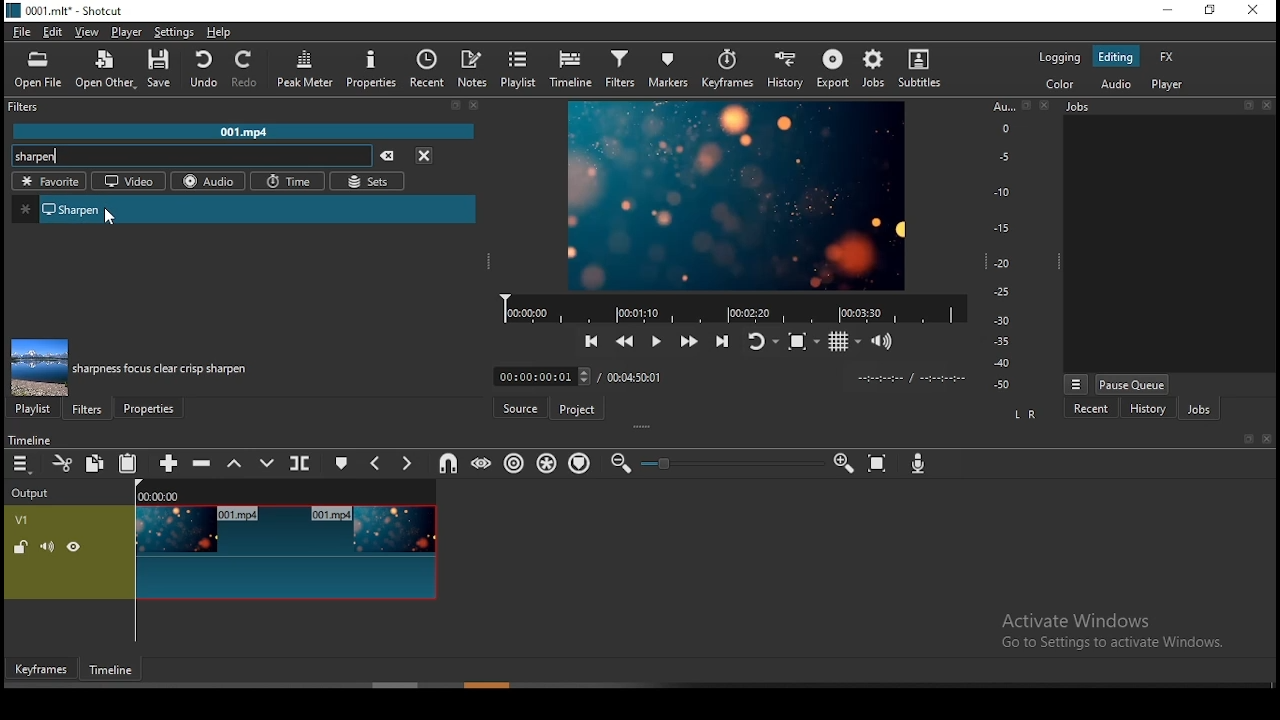 Image resolution: width=1280 pixels, height=720 pixels. I want to click on Filter, so click(245, 107).